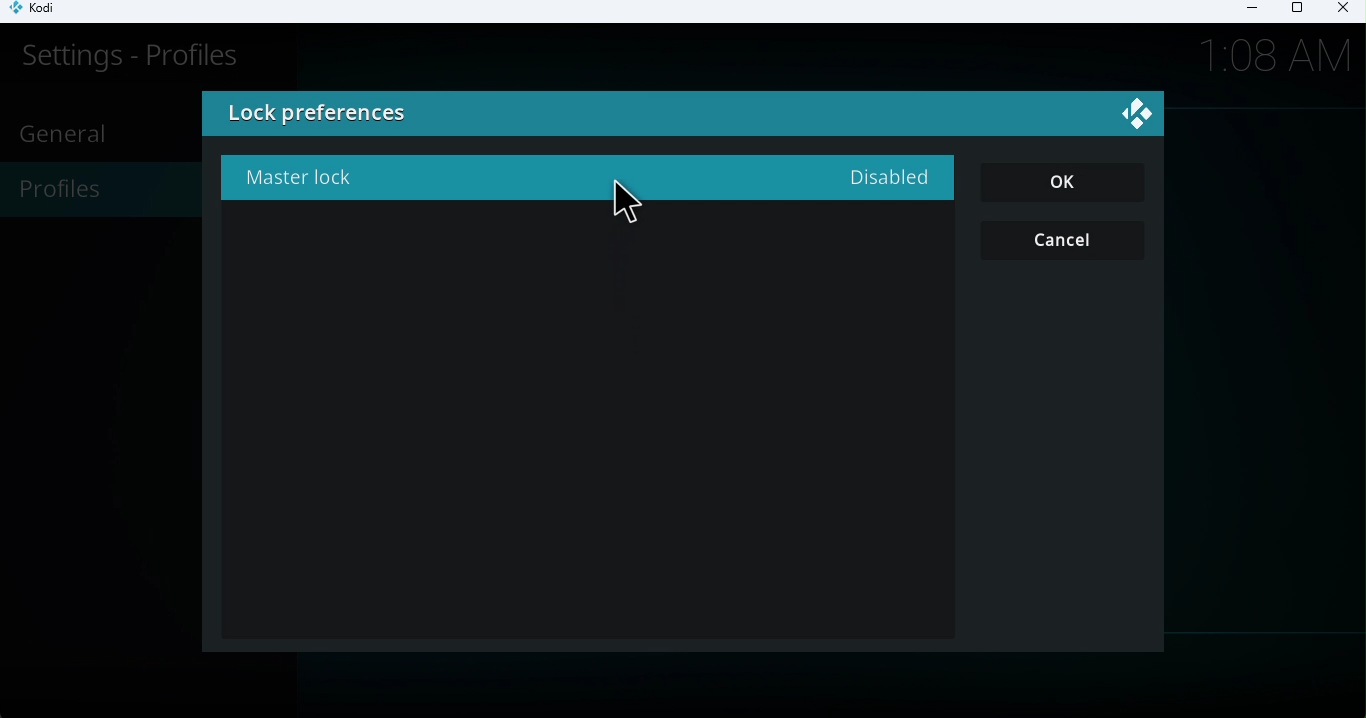 This screenshot has width=1366, height=718. What do you see at coordinates (1064, 183) in the screenshot?
I see `OK` at bounding box center [1064, 183].